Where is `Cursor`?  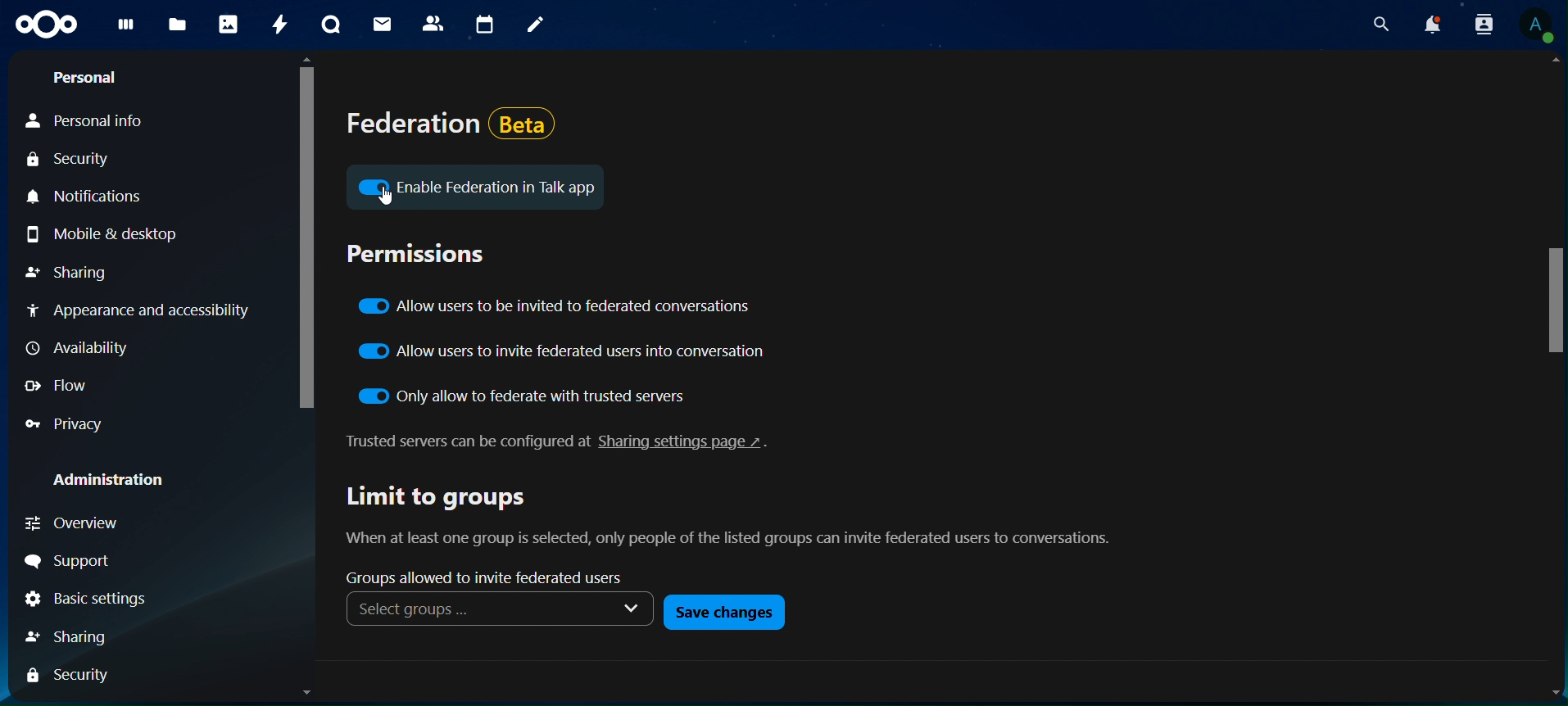
Cursor is located at coordinates (386, 199).